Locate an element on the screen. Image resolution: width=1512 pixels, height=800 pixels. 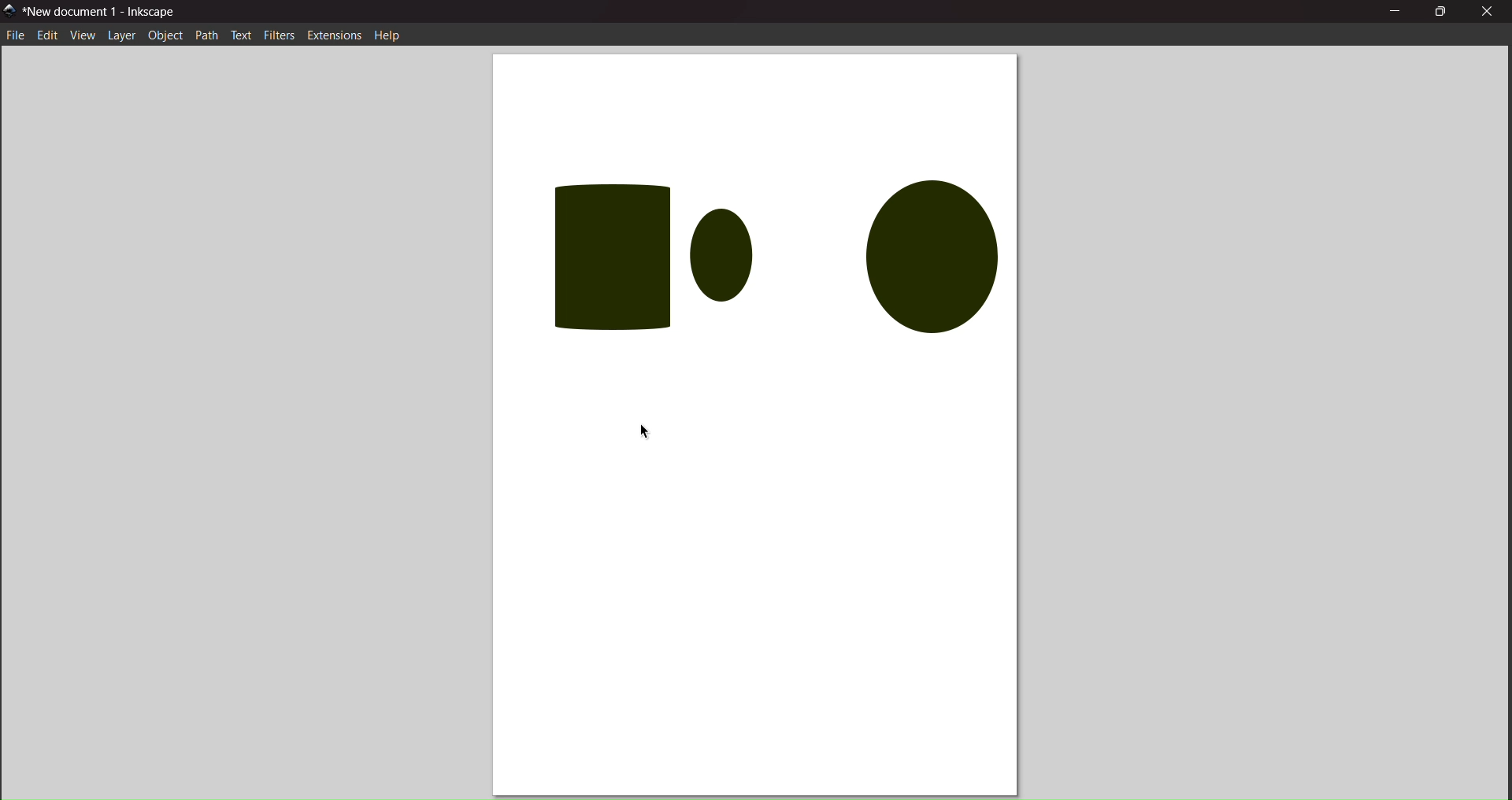
title is located at coordinates (104, 10).